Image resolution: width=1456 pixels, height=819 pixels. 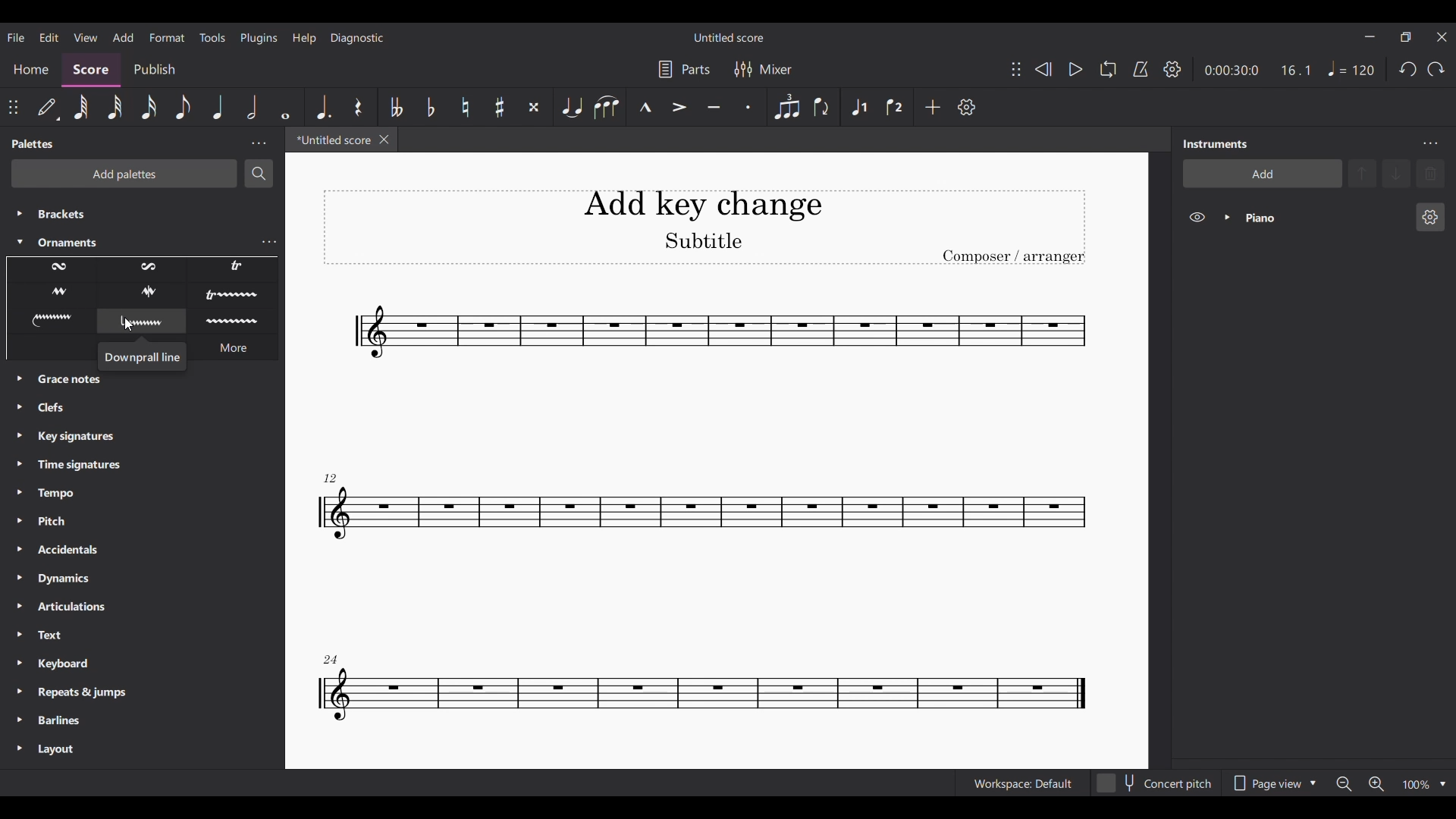 What do you see at coordinates (168, 37) in the screenshot?
I see `Format menu` at bounding box center [168, 37].